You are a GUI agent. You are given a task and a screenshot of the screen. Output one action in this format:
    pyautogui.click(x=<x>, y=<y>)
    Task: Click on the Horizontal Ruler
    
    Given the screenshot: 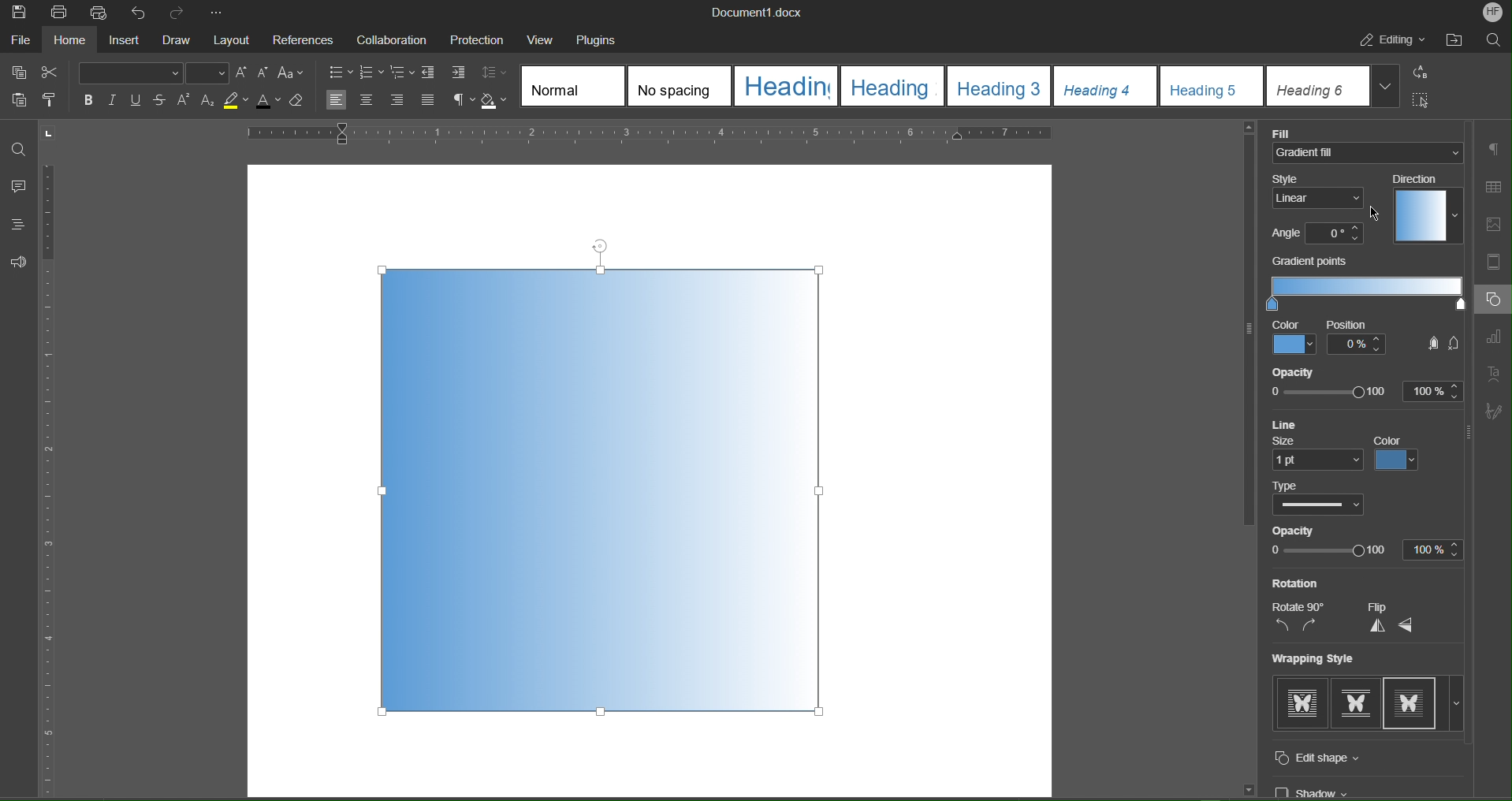 What is the action you would take?
    pyautogui.click(x=657, y=133)
    